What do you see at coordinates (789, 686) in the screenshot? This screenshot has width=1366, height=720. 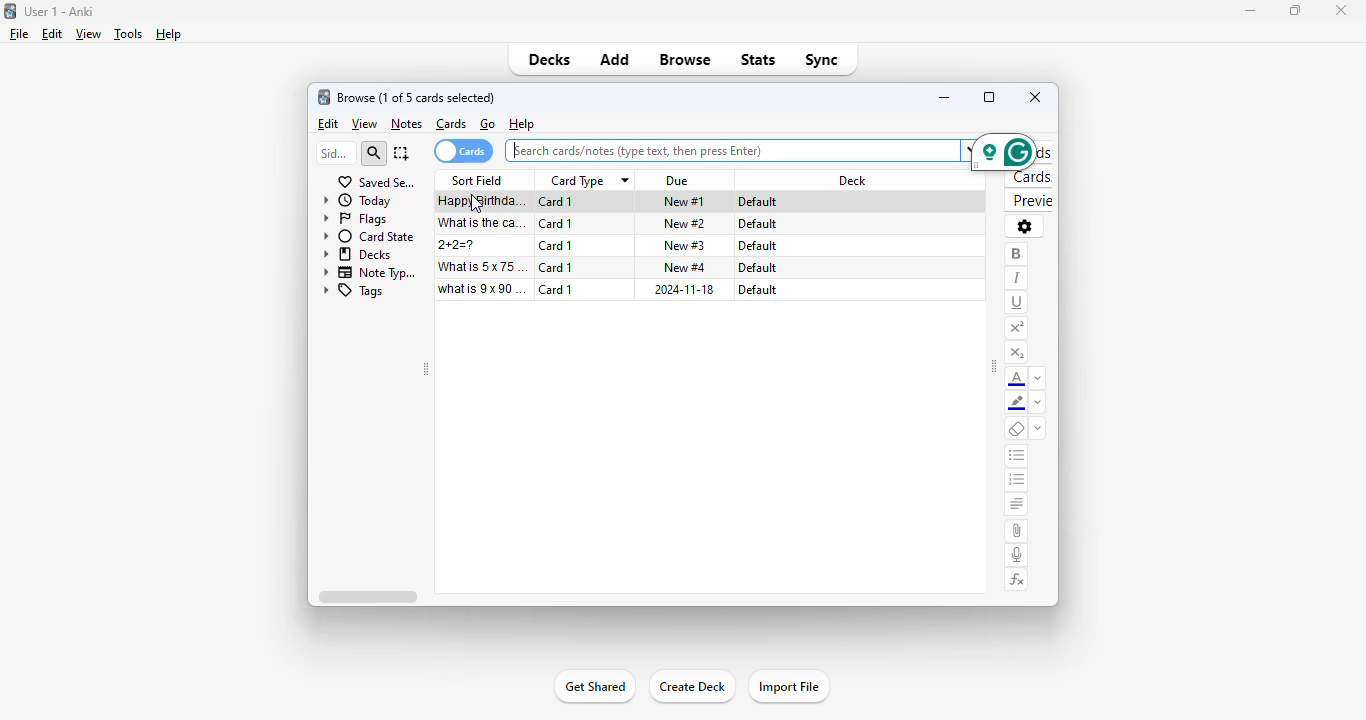 I see `import file` at bounding box center [789, 686].